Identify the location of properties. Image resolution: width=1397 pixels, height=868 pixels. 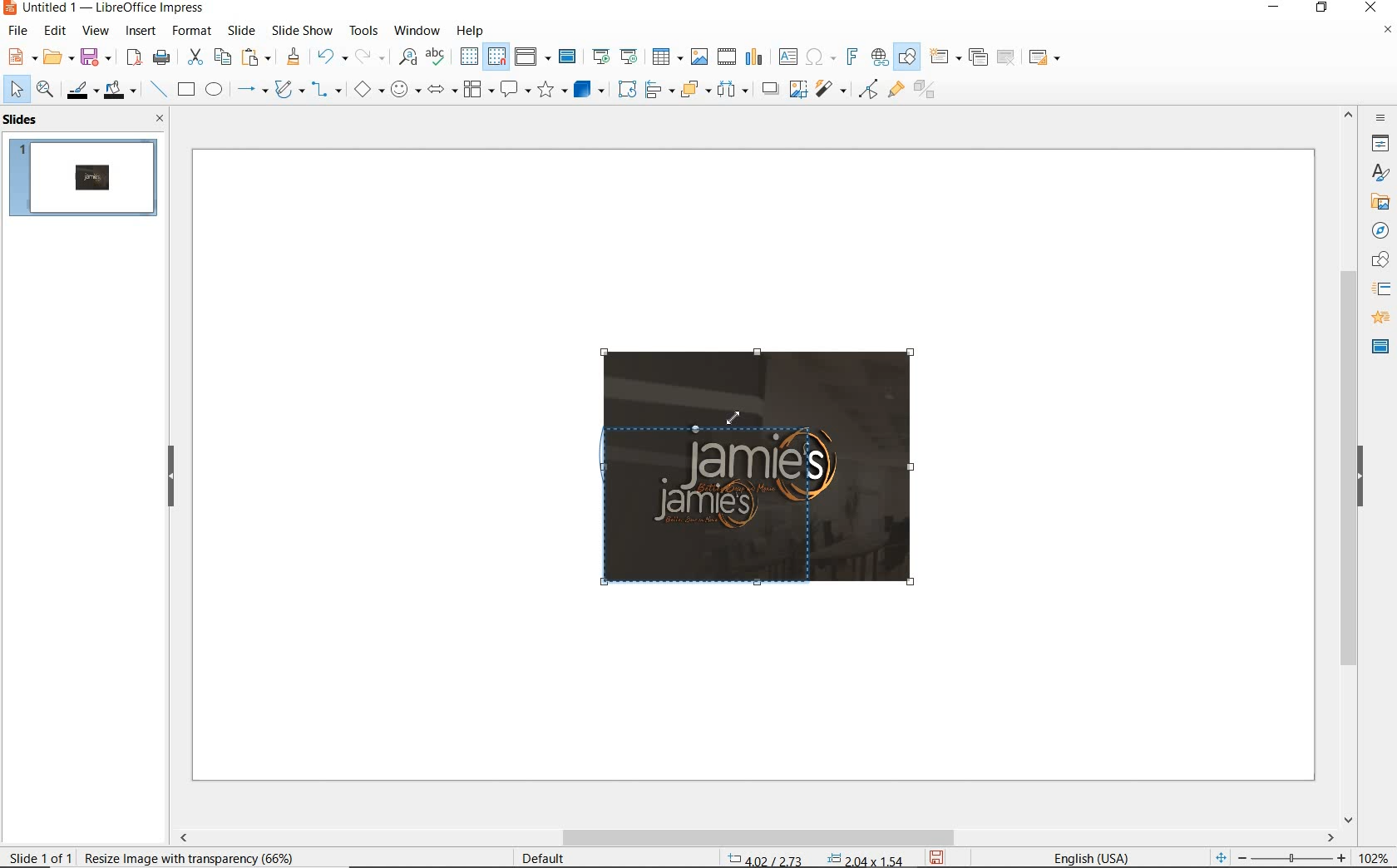
(1379, 143).